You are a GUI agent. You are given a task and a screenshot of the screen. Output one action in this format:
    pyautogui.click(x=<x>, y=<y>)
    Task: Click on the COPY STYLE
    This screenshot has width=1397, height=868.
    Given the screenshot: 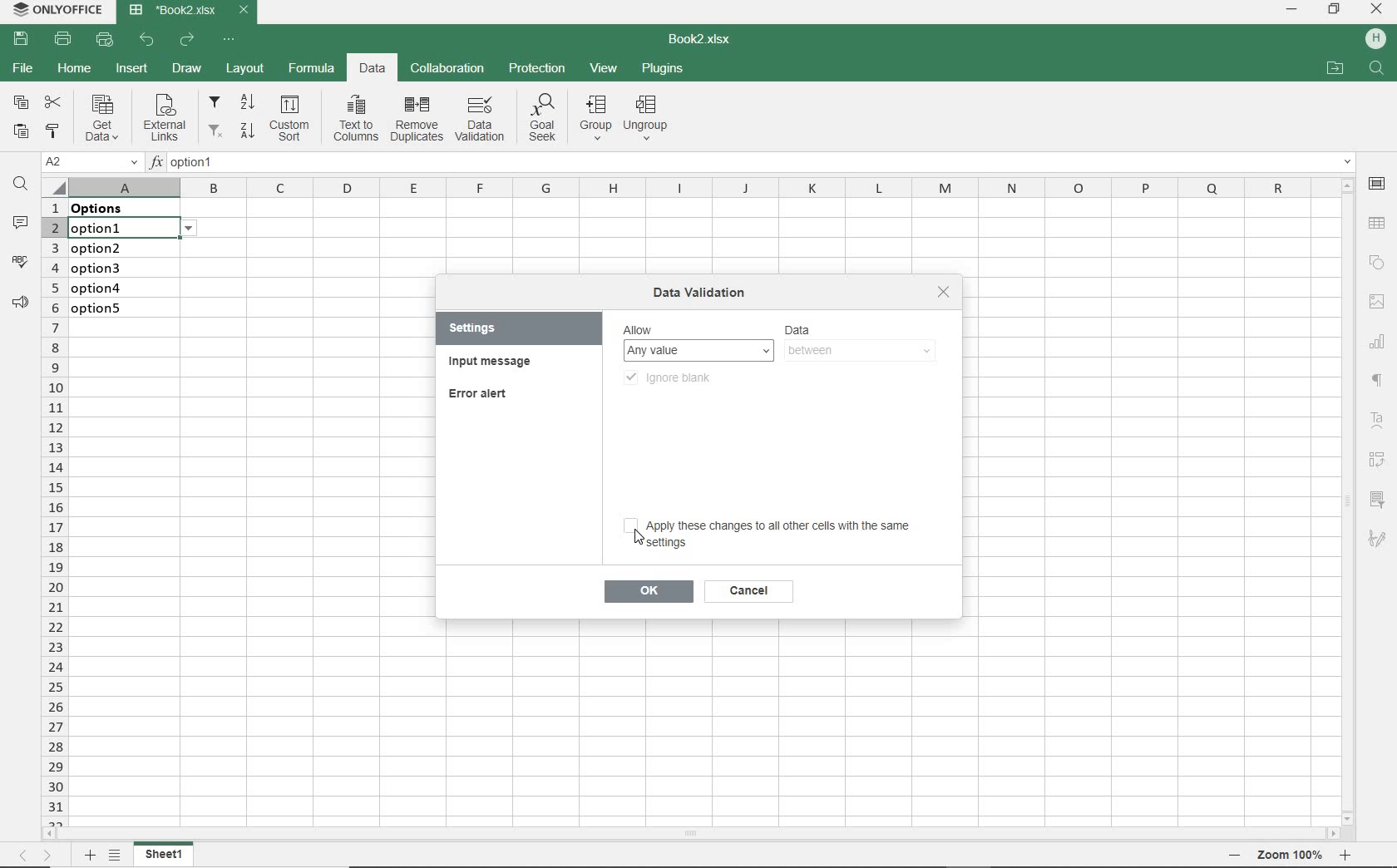 What is the action you would take?
    pyautogui.click(x=53, y=131)
    